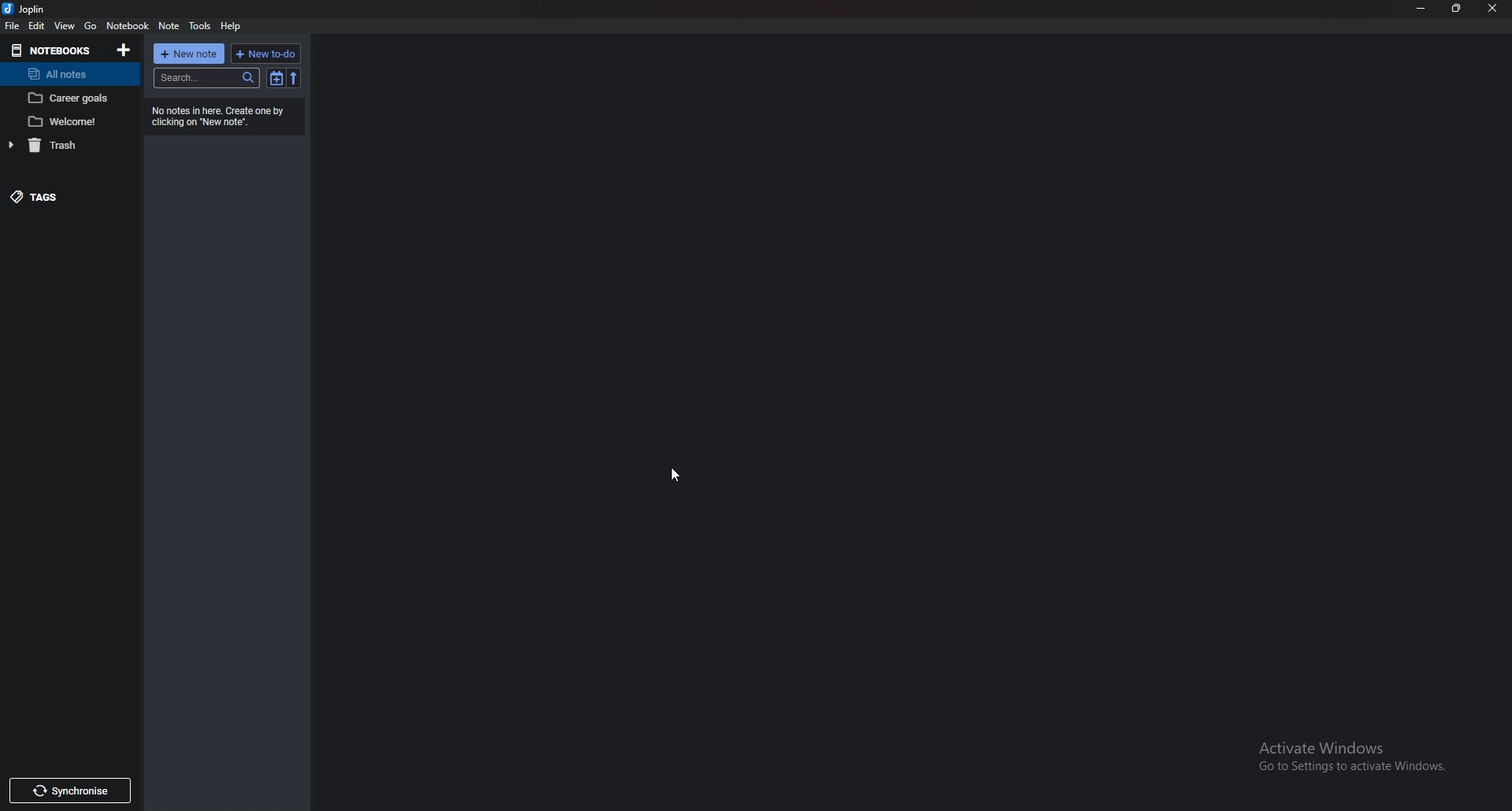 This screenshot has width=1512, height=811. Describe the element at coordinates (65, 74) in the screenshot. I see `all notes` at that location.